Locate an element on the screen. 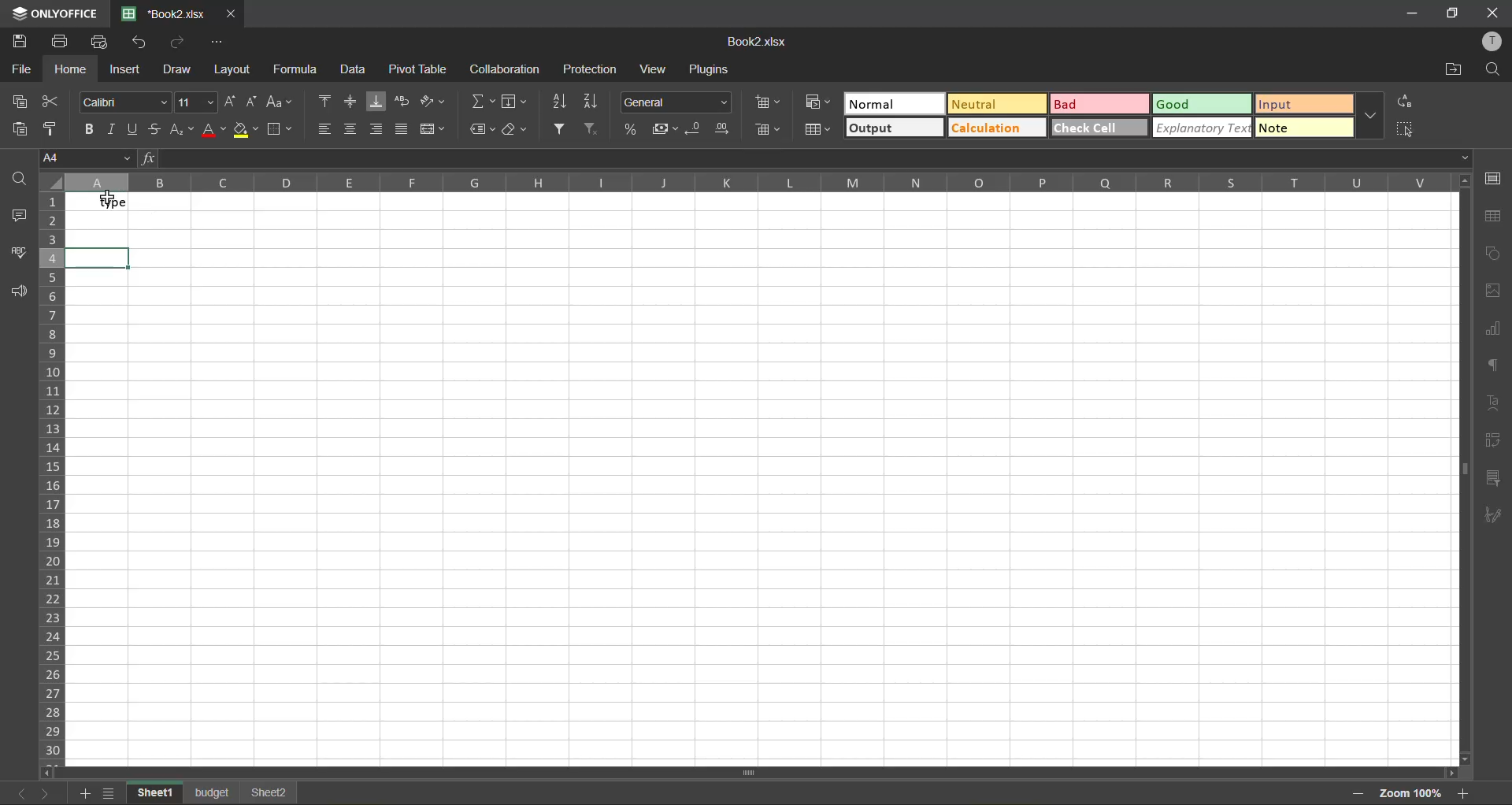 The image size is (1512, 805). italic is located at coordinates (113, 130).